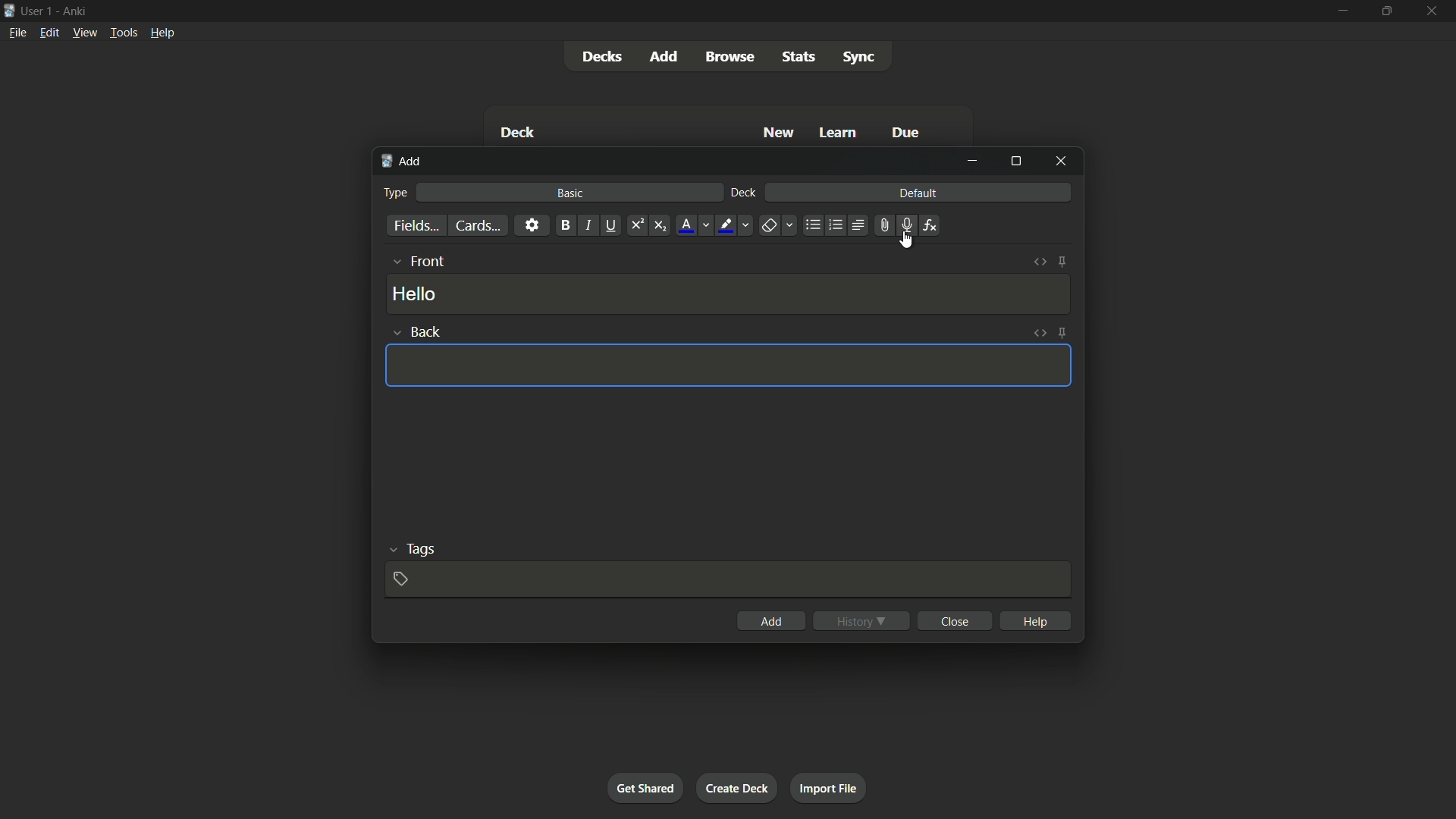  I want to click on maximize, so click(1015, 162).